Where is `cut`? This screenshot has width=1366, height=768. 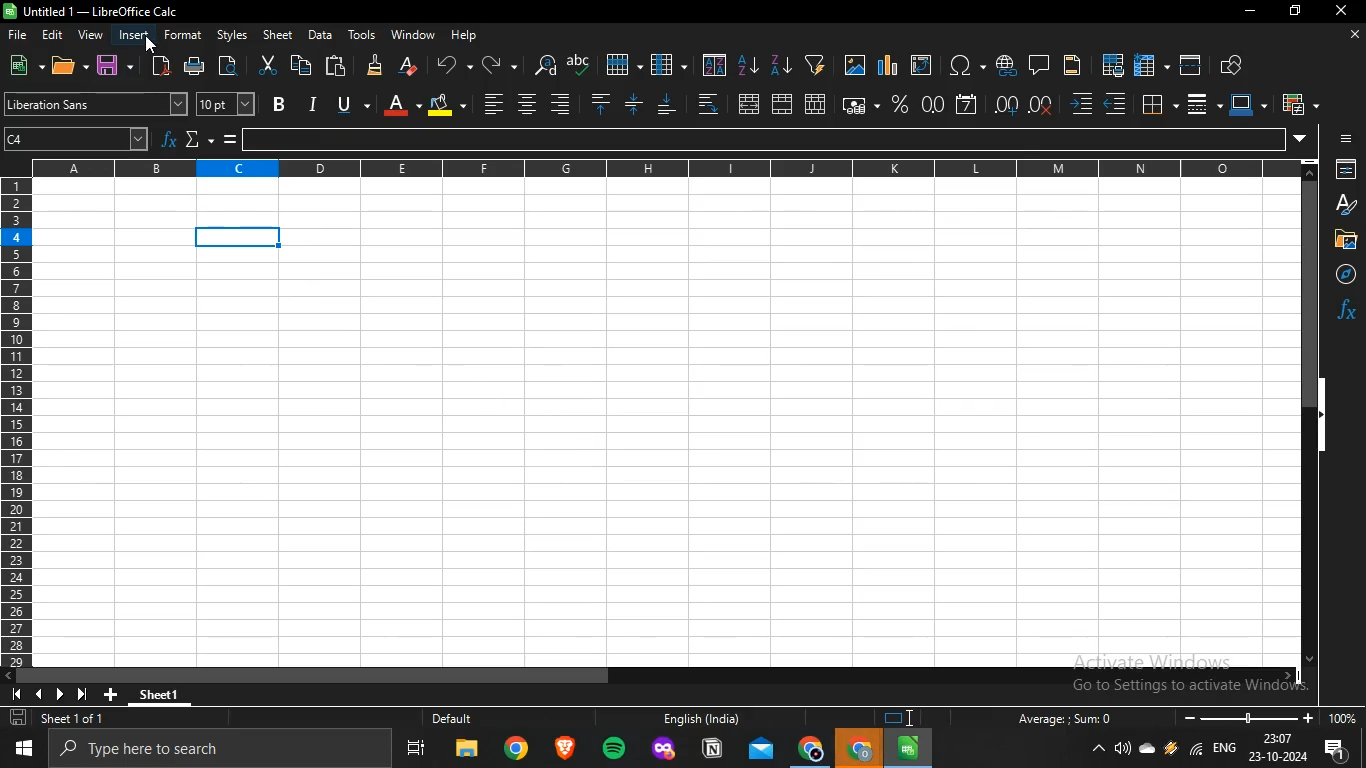
cut is located at coordinates (267, 66).